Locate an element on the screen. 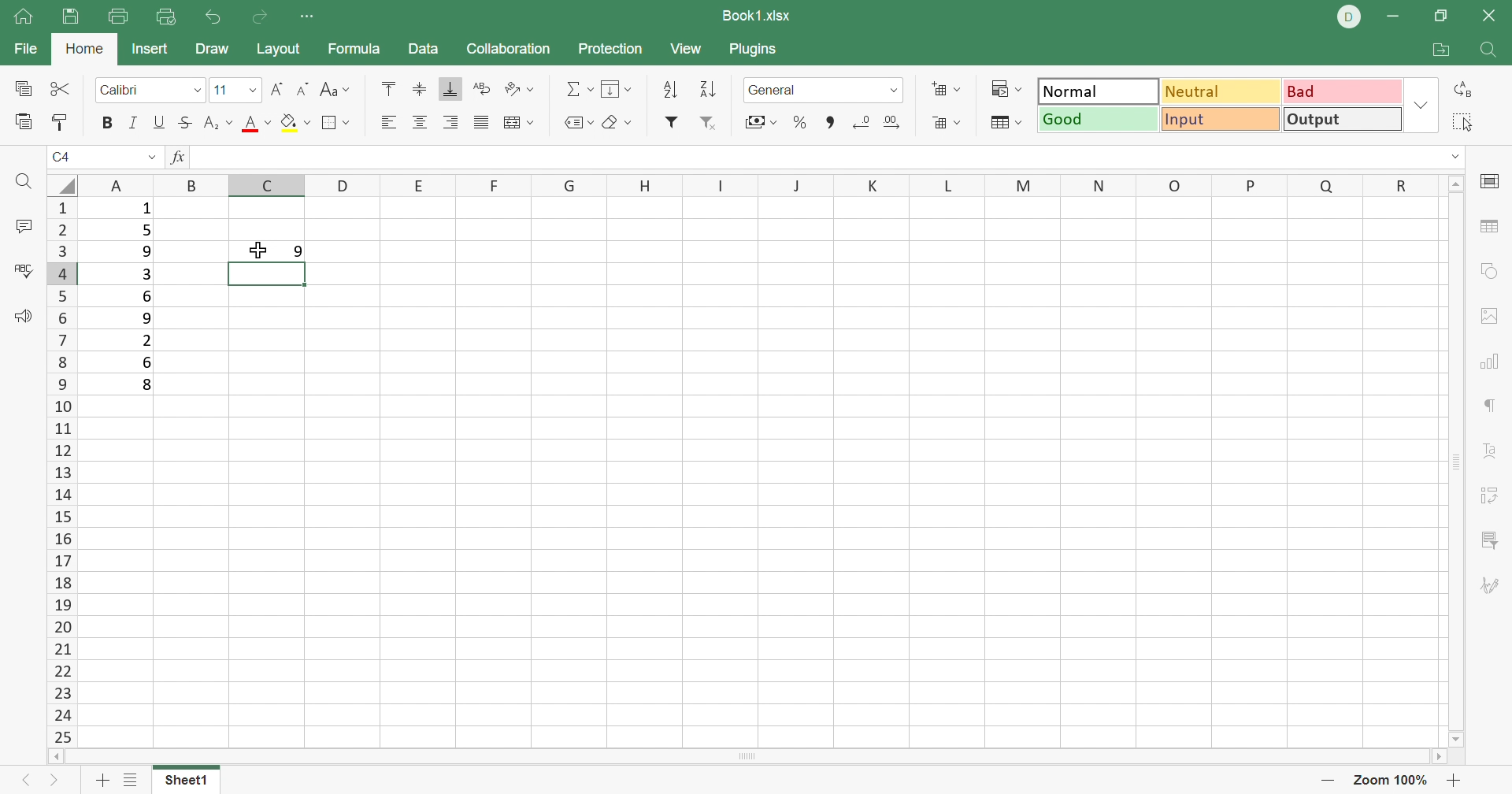 This screenshot has height=794, width=1512. Change case is located at coordinates (336, 92).